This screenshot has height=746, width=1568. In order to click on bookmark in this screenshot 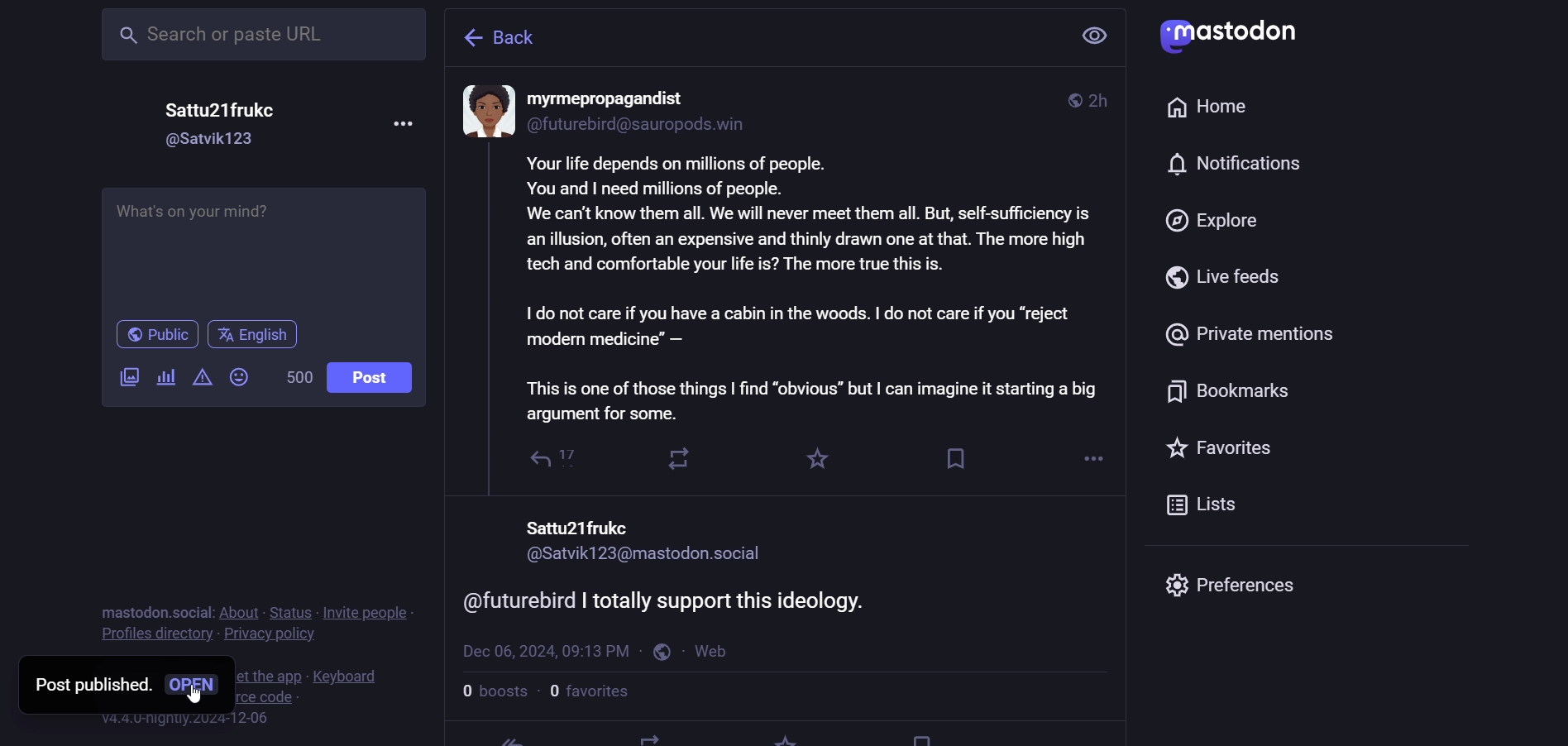, I will do `click(953, 459)`.